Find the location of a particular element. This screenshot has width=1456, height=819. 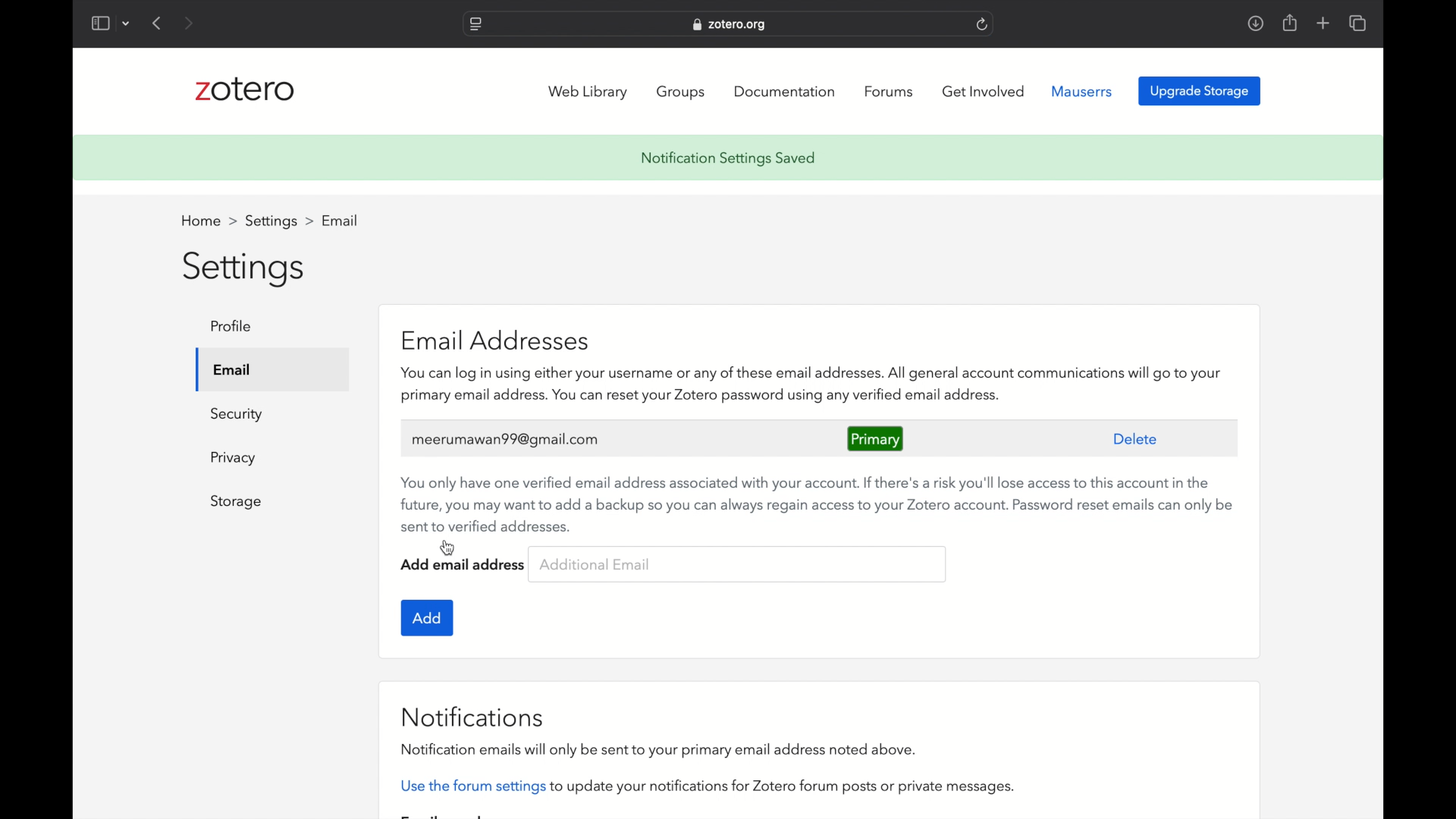

groups is located at coordinates (682, 93).